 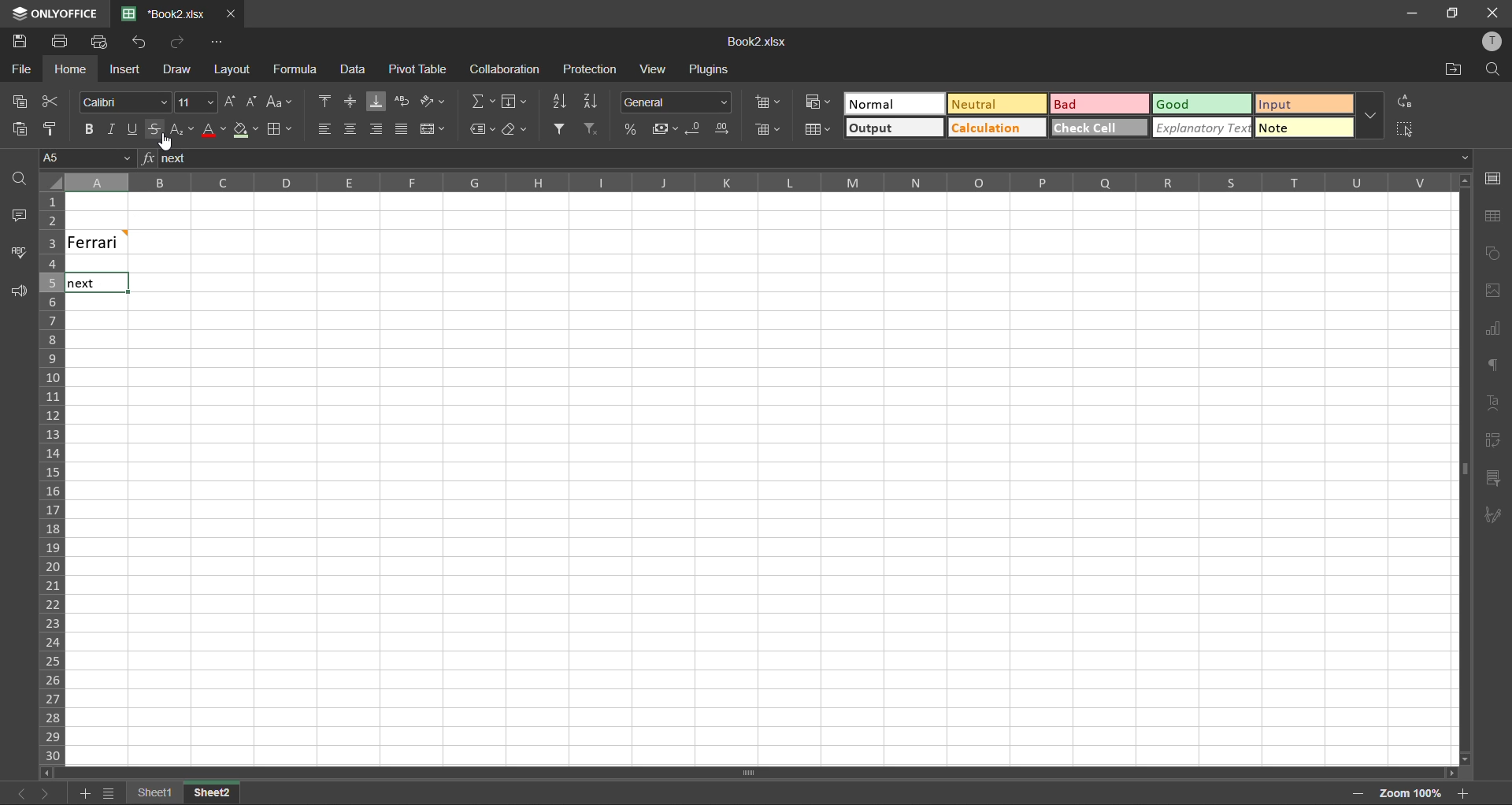 What do you see at coordinates (1494, 43) in the screenshot?
I see `profile` at bounding box center [1494, 43].